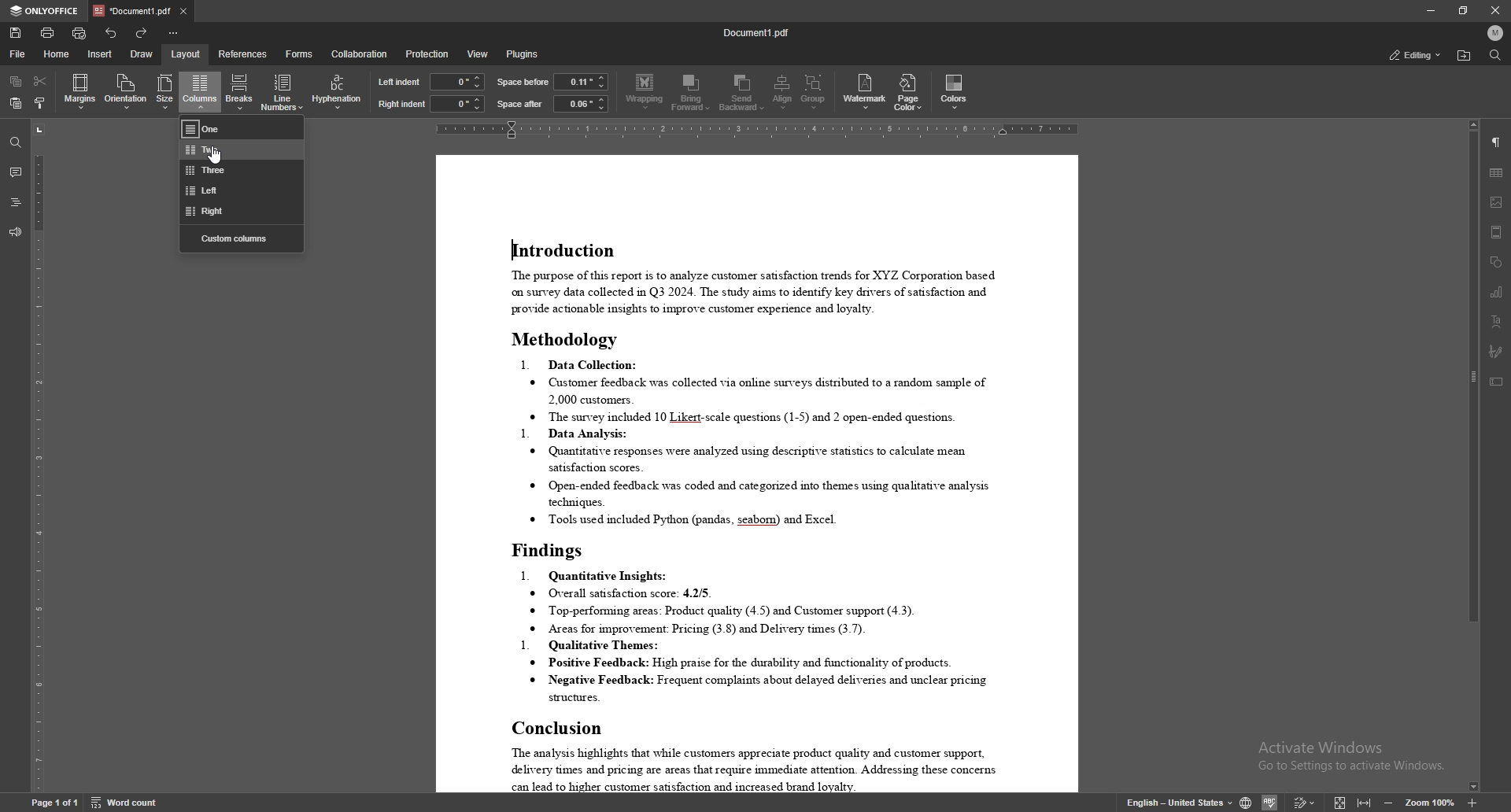  I want to click on file, so click(20, 54).